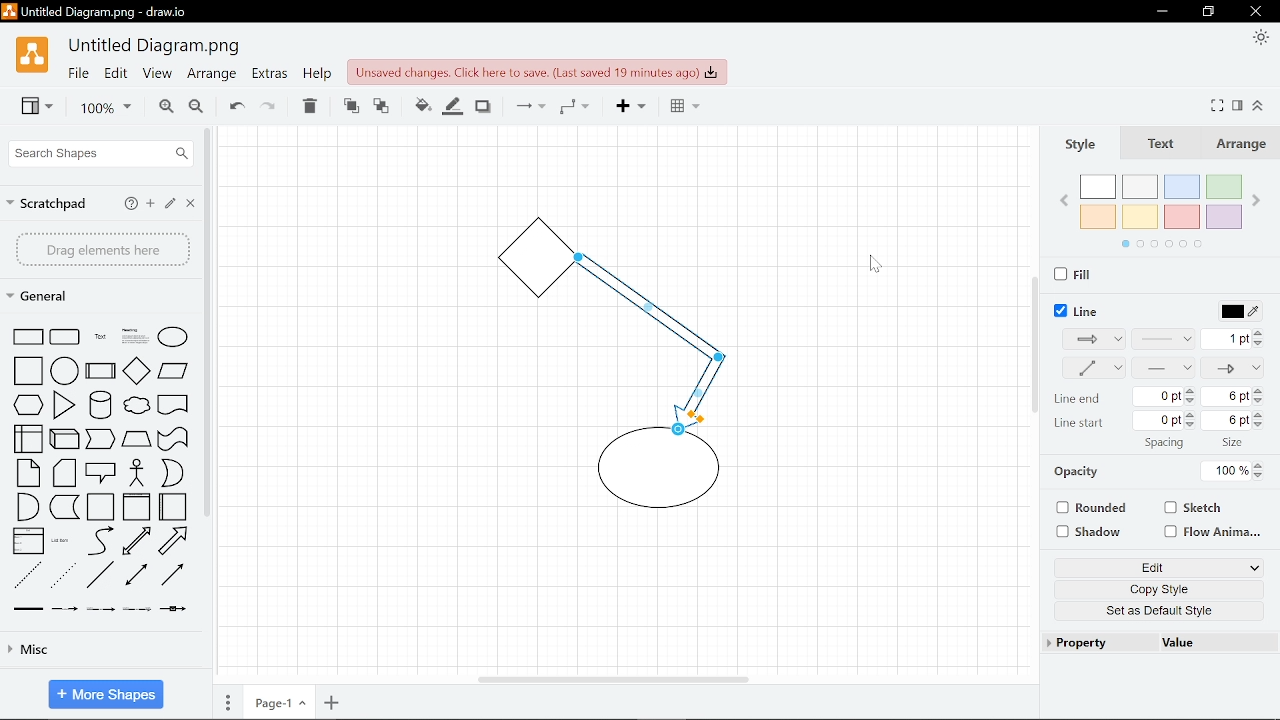 The width and height of the screenshot is (1280, 720). Describe the element at coordinates (101, 576) in the screenshot. I see `shape` at that location.